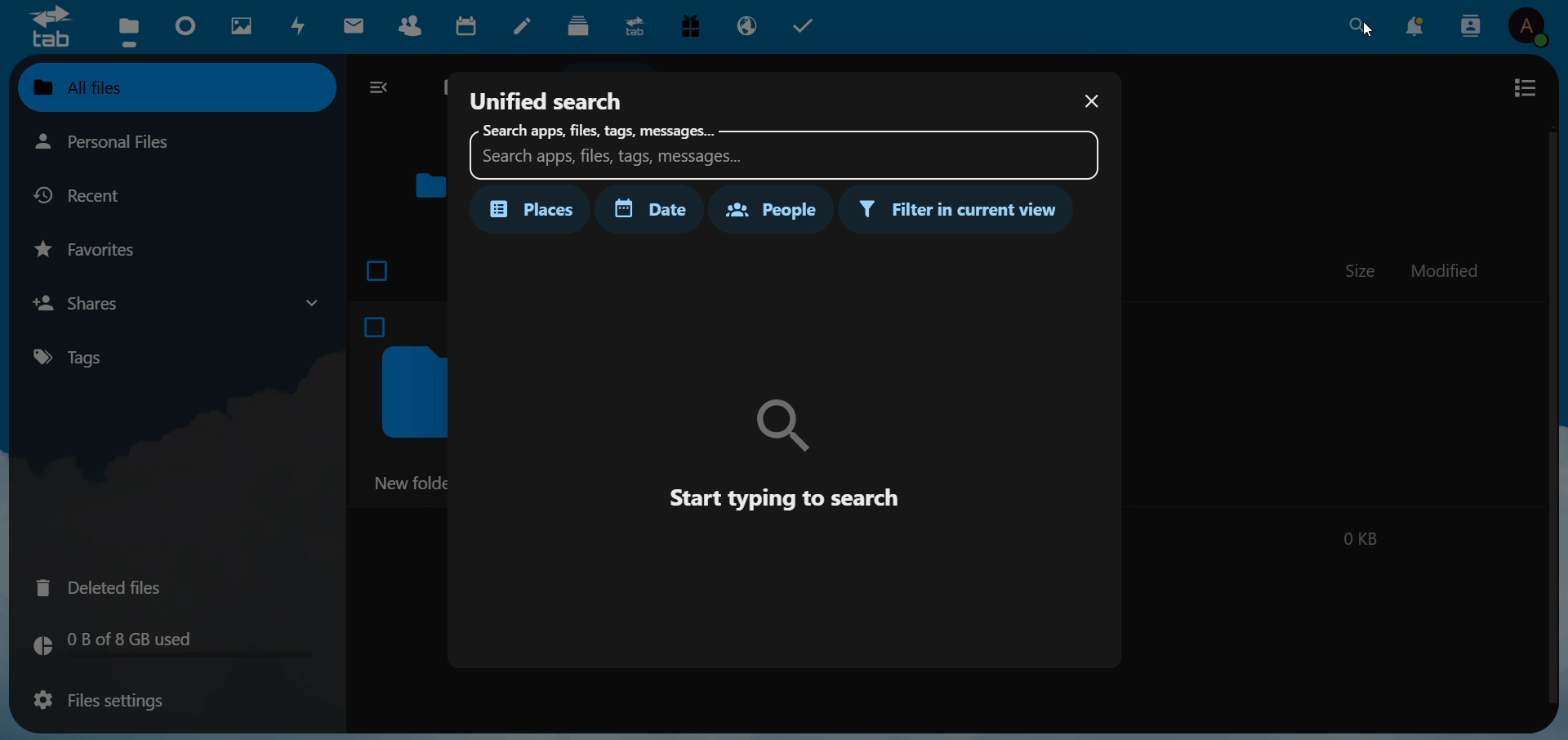  What do you see at coordinates (372, 329) in the screenshot?
I see `checkbox` at bounding box center [372, 329].